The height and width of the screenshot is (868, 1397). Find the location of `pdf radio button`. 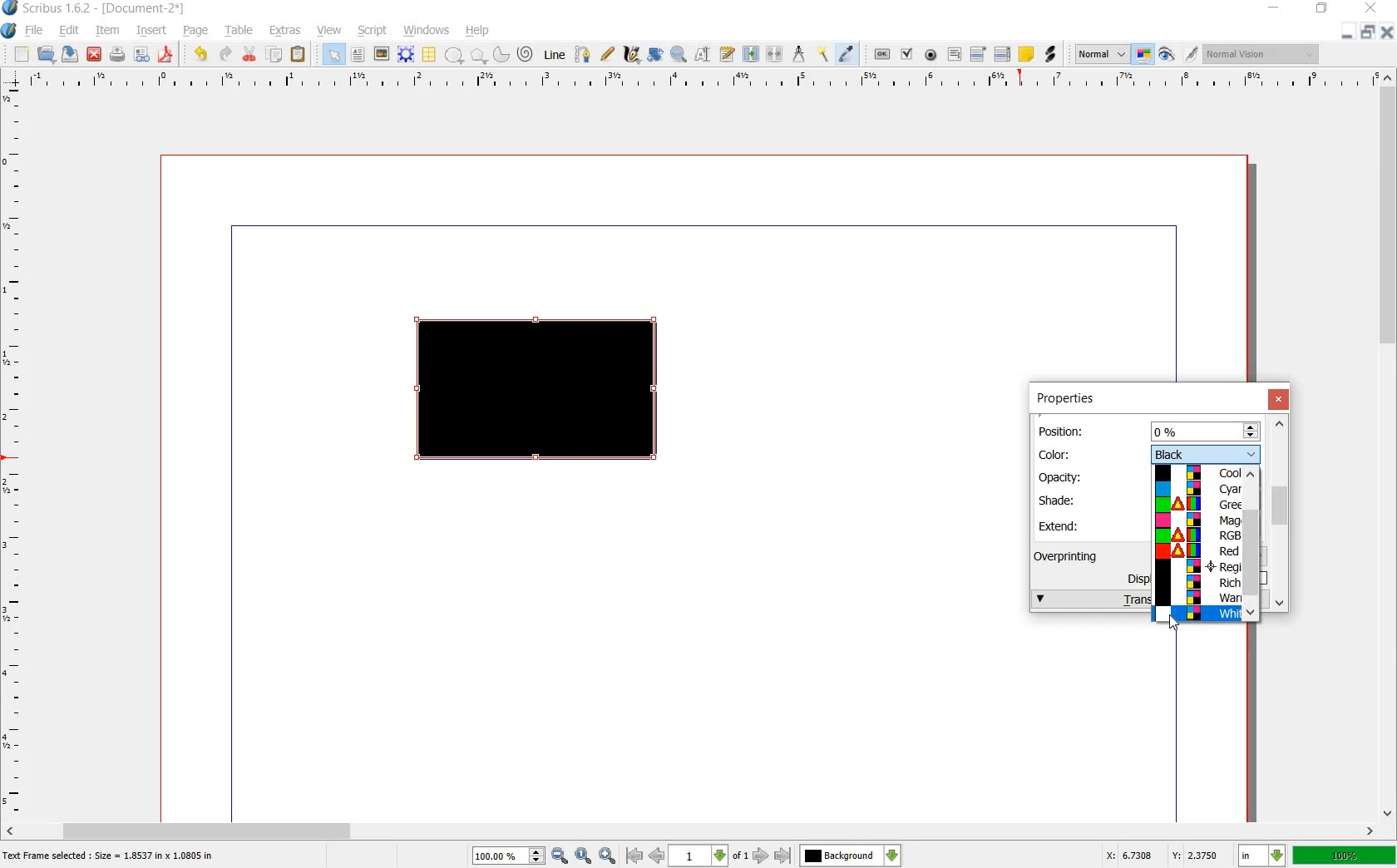

pdf radio button is located at coordinates (931, 55).